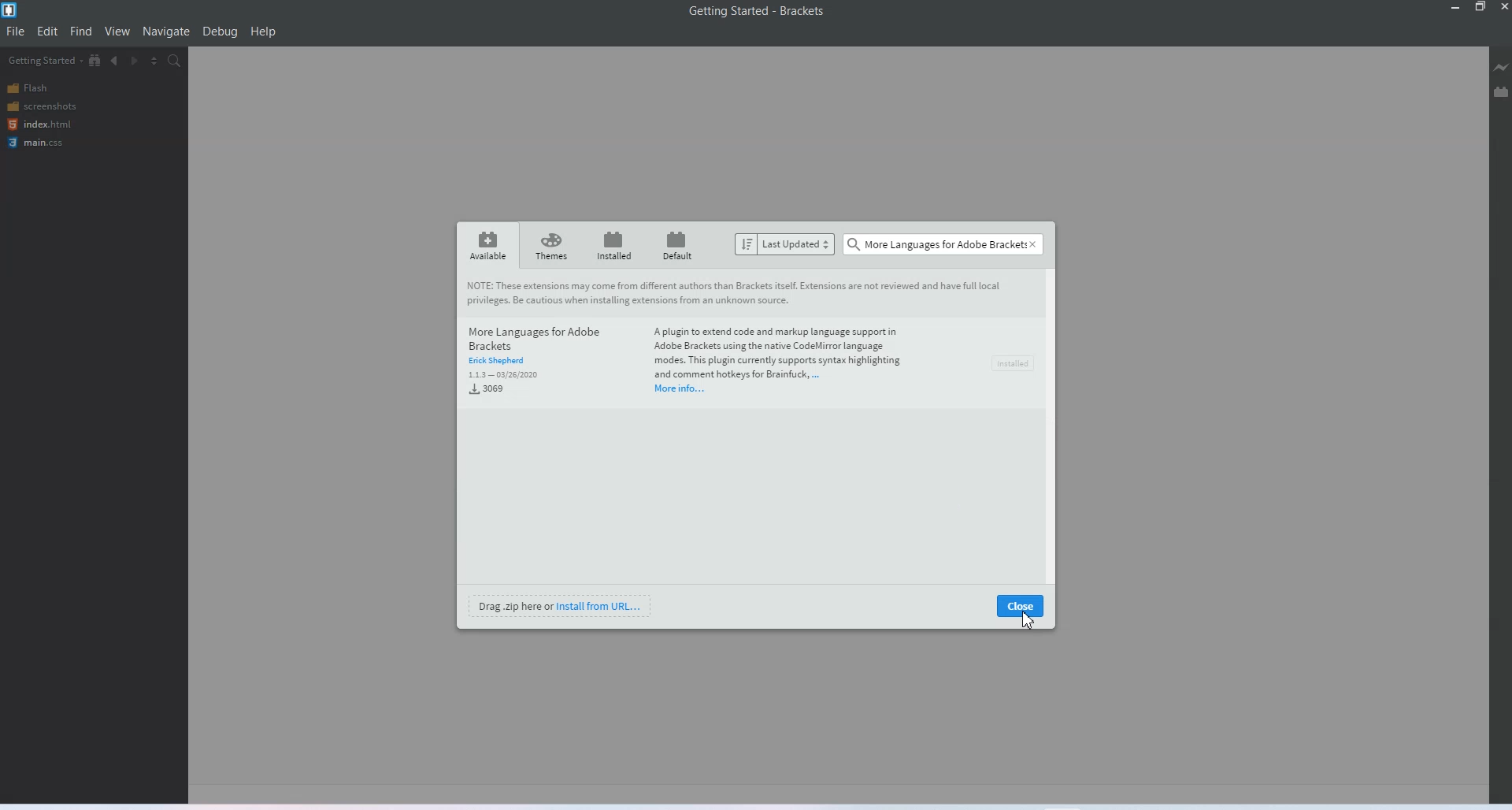 The image size is (1512, 810). Describe the element at coordinates (15, 32) in the screenshot. I see `File` at that location.